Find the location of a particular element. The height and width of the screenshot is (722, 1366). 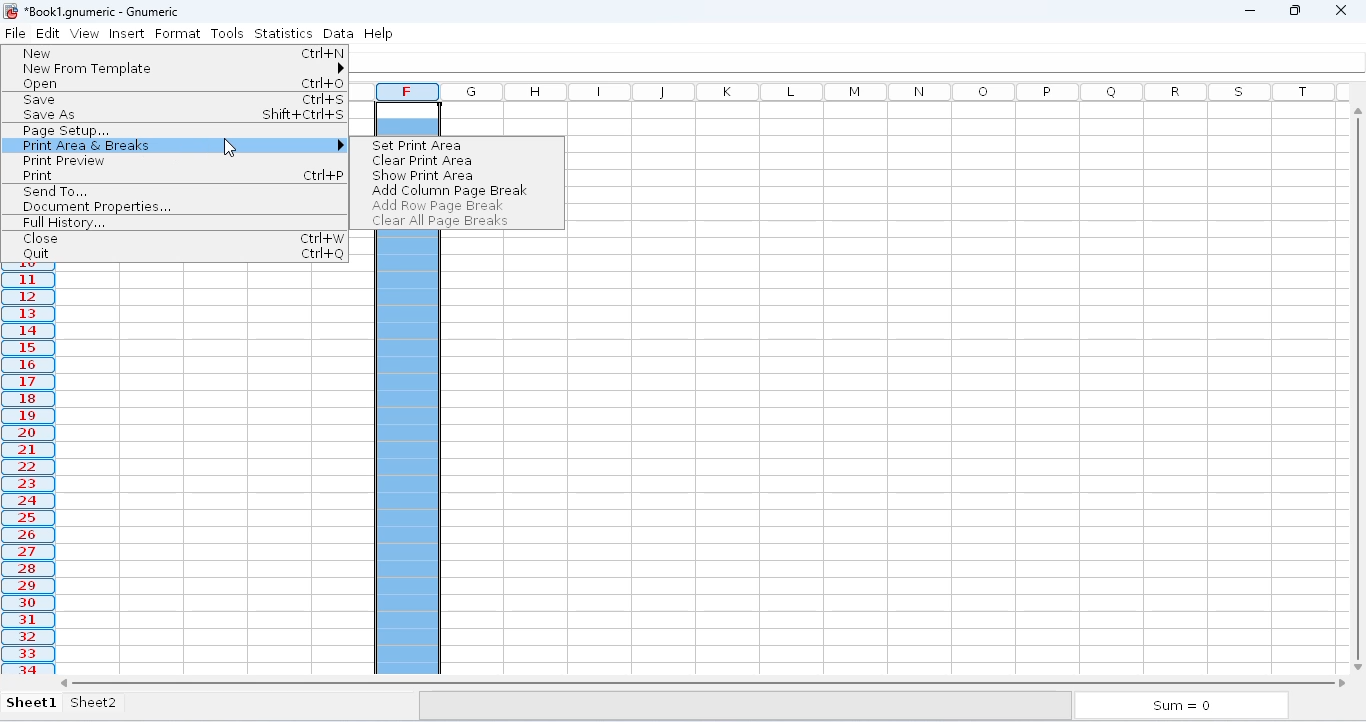

cursor is located at coordinates (230, 149).